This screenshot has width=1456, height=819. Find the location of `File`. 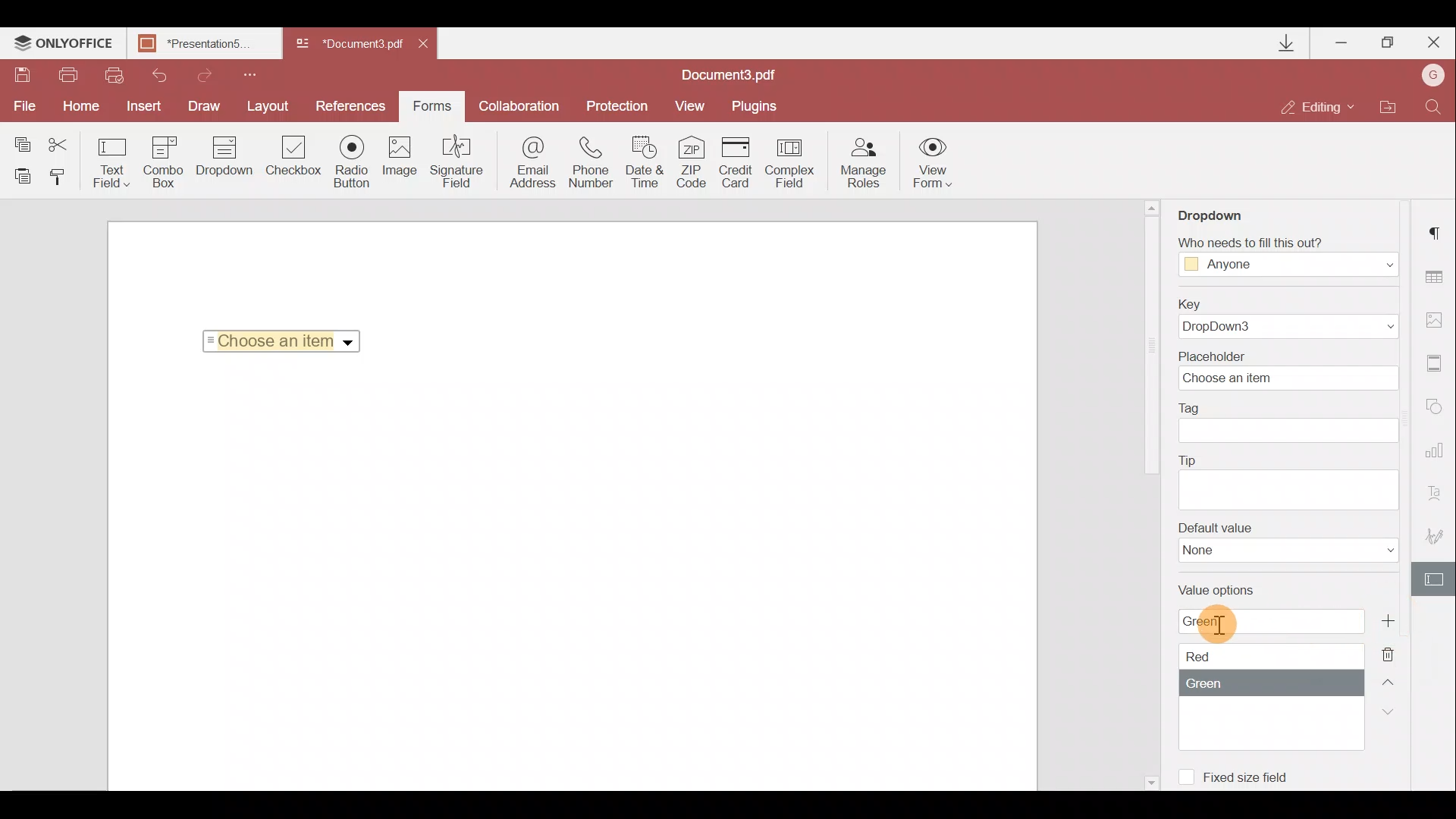

File is located at coordinates (26, 108).